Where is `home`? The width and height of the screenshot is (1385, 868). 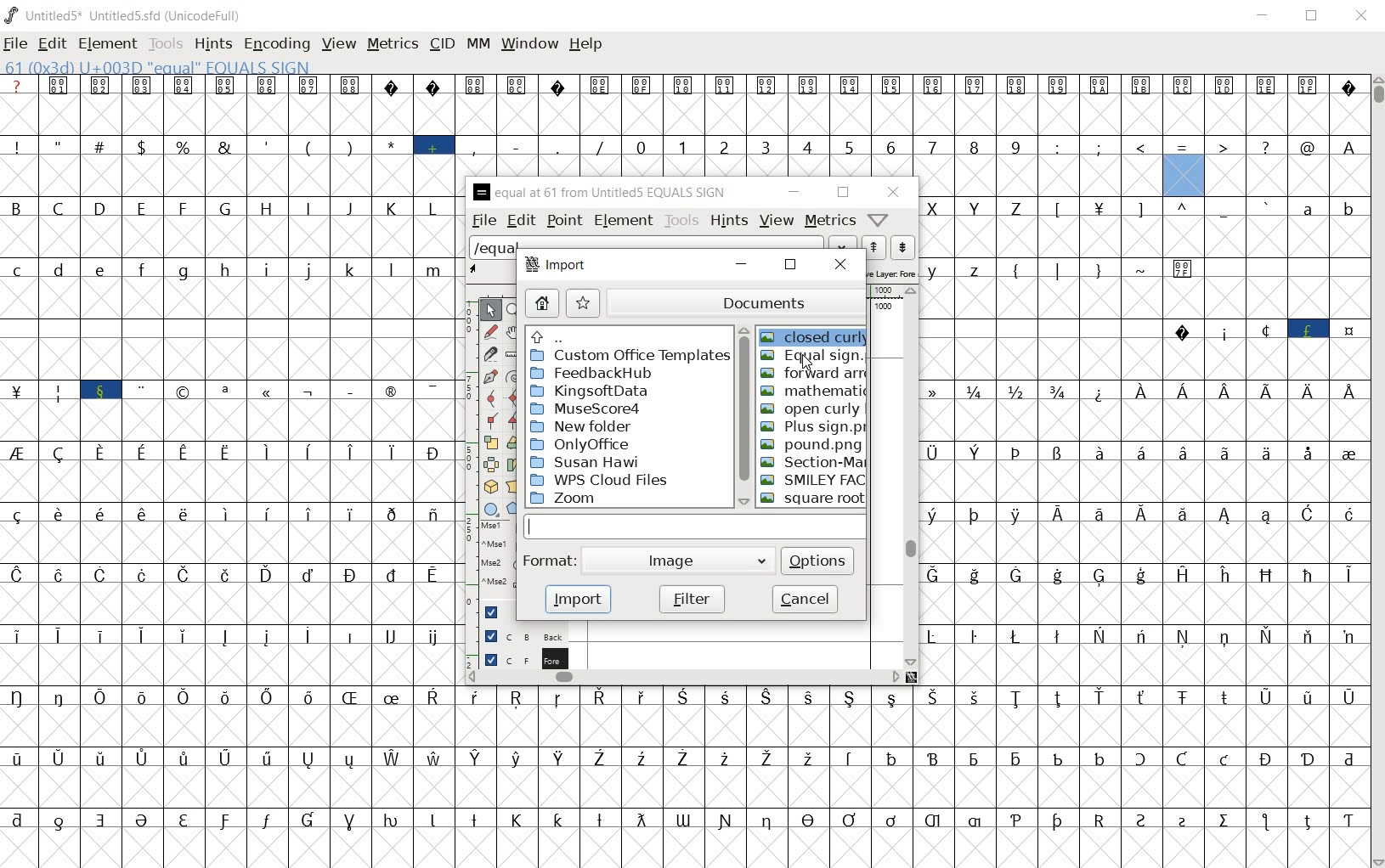
home is located at coordinates (540, 303).